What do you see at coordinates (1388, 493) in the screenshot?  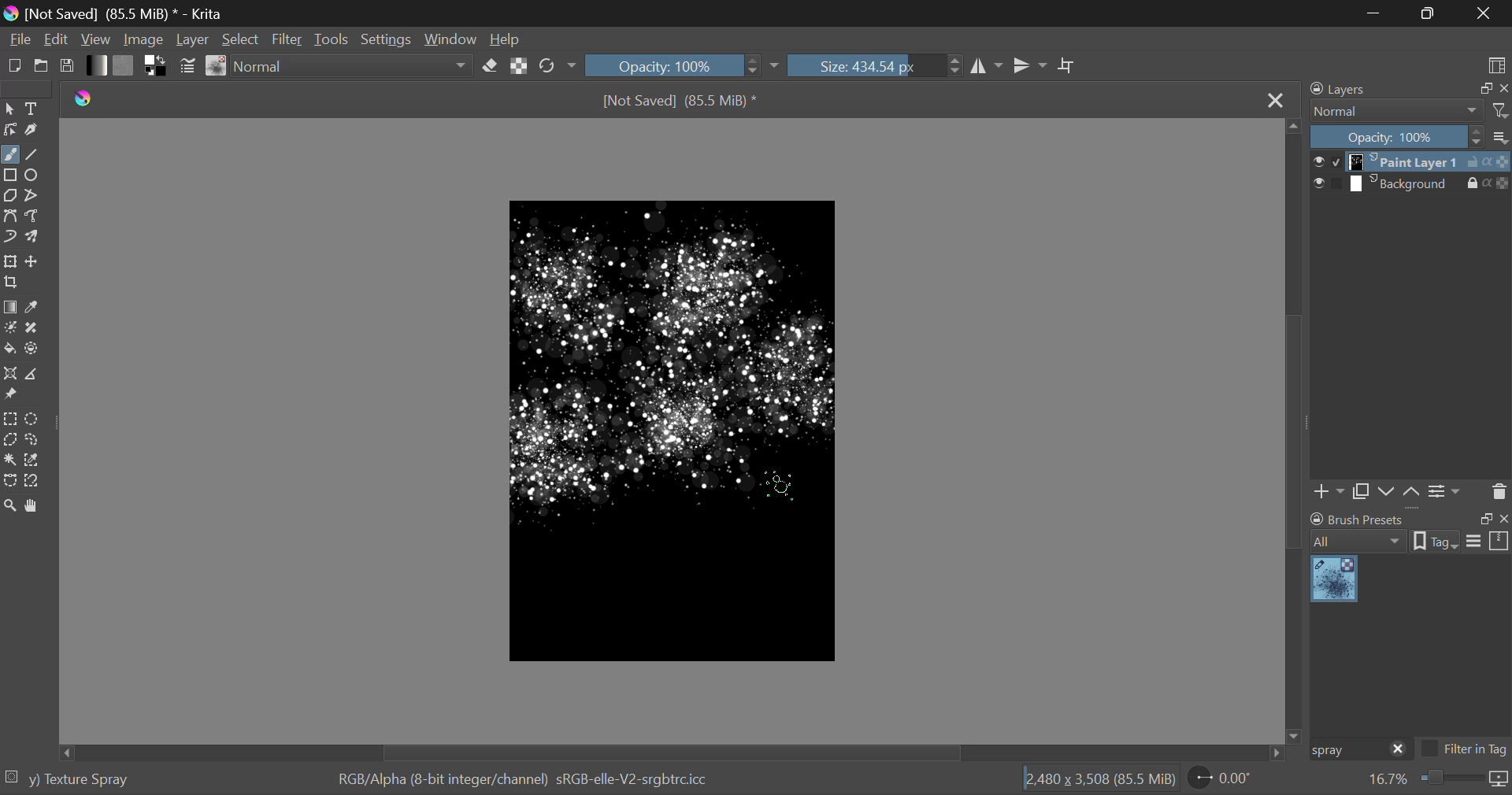 I see `Layer Movement down` at bounding box center [1388, 493].